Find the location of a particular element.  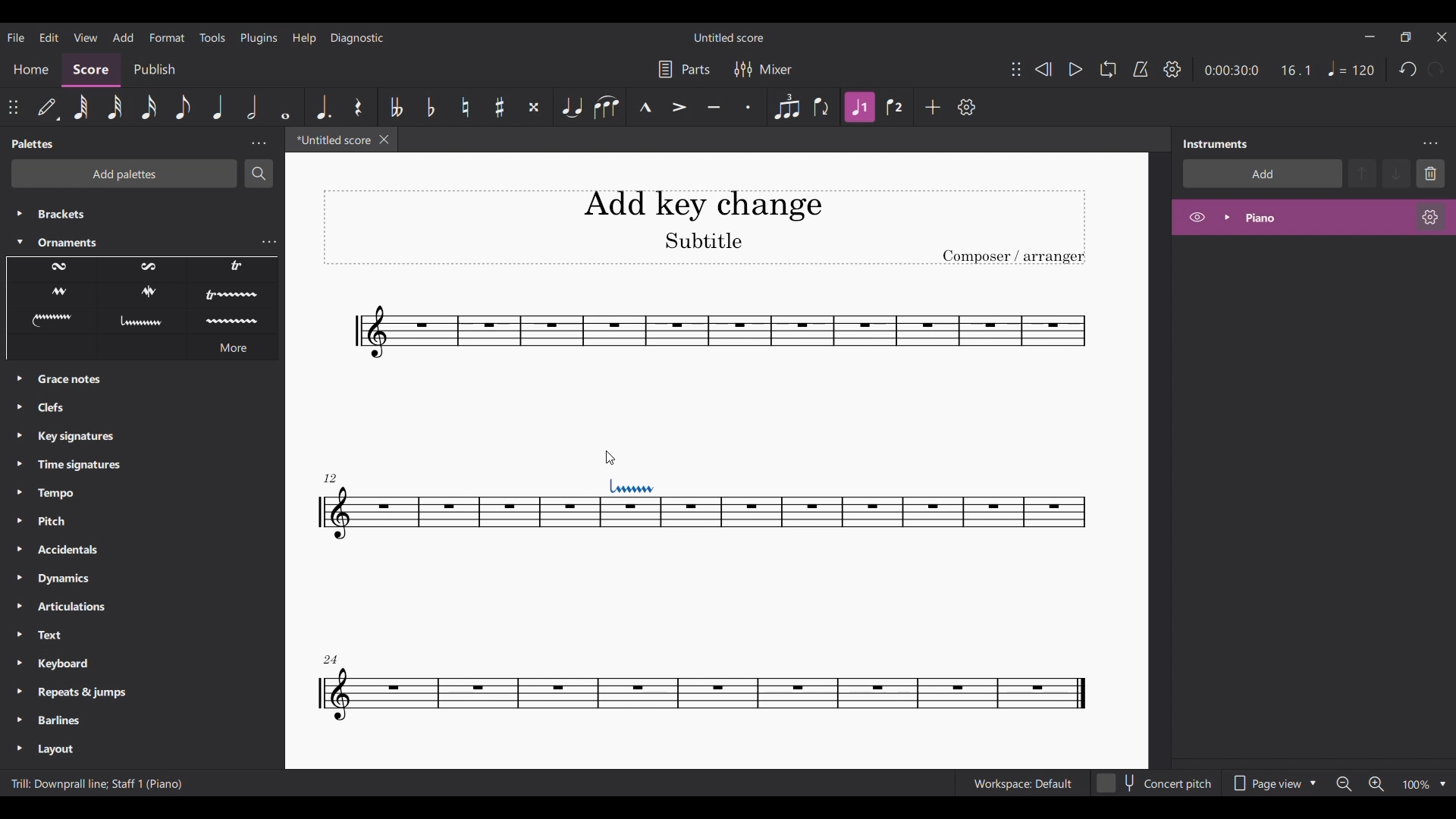

Redo is located at coordinates (1436, 70).